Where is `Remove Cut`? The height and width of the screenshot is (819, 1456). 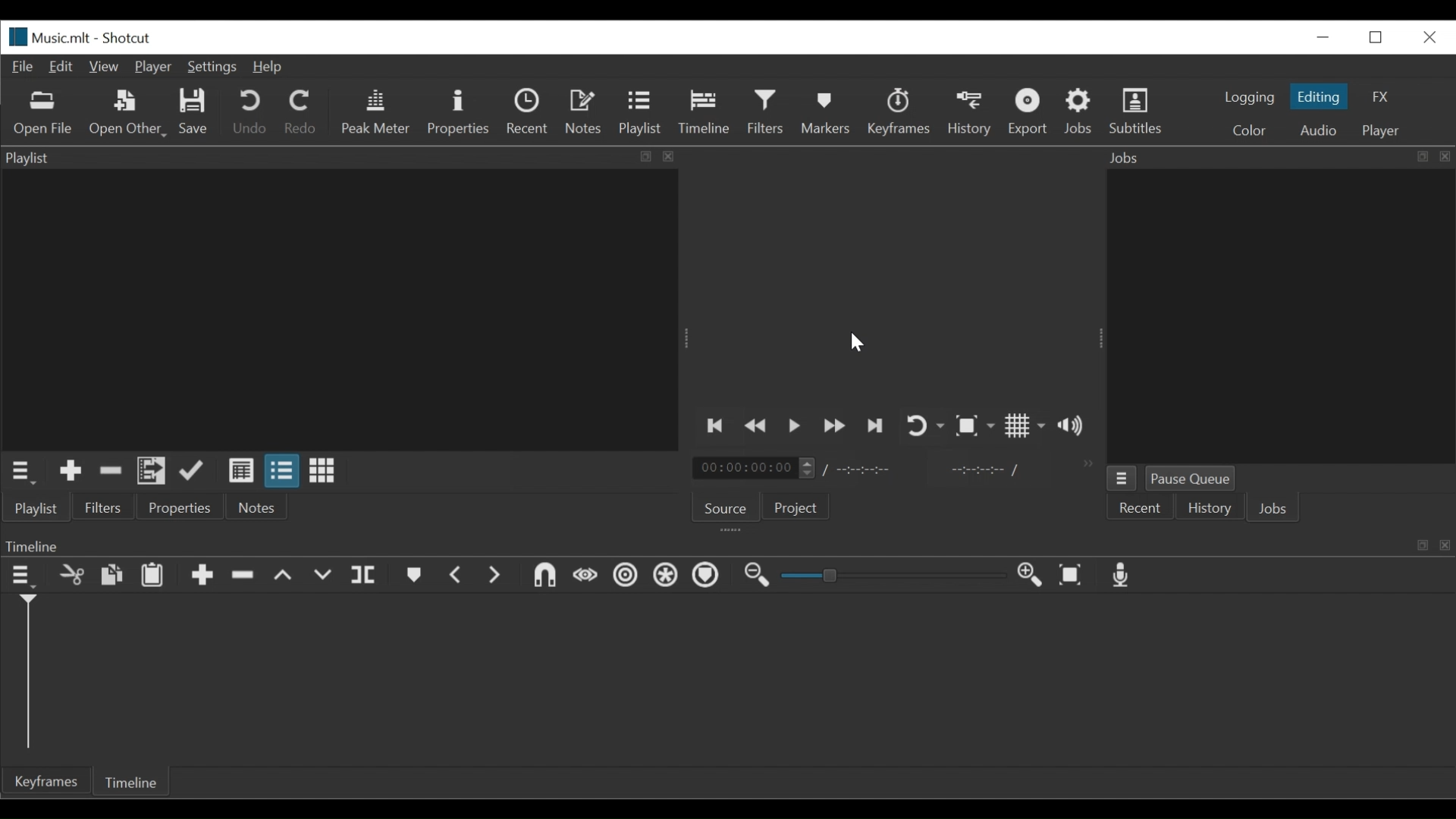
Remove Cut is located at coordinates (111, 472).